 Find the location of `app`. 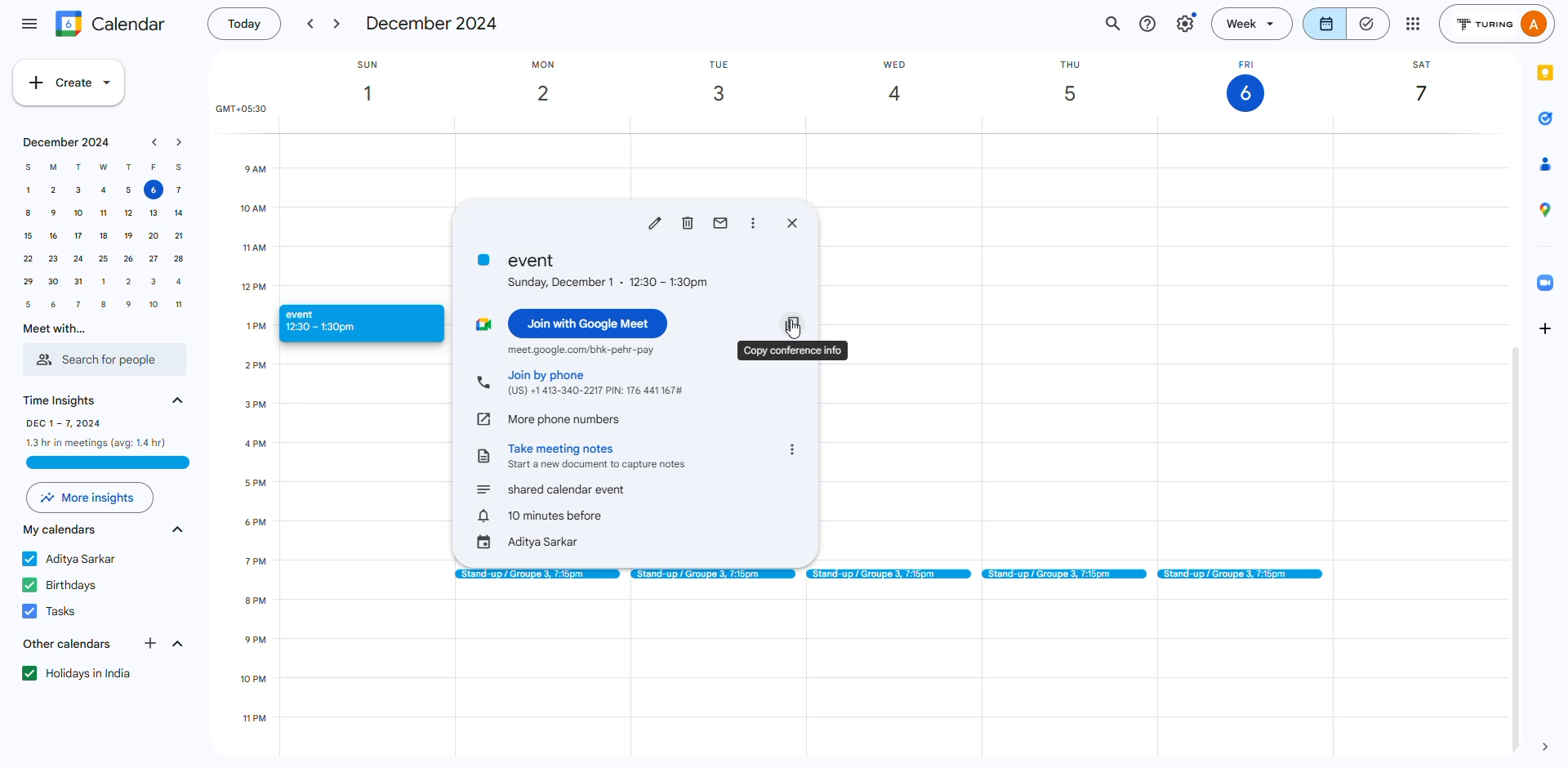

app is located at coordinates (1547, 209).